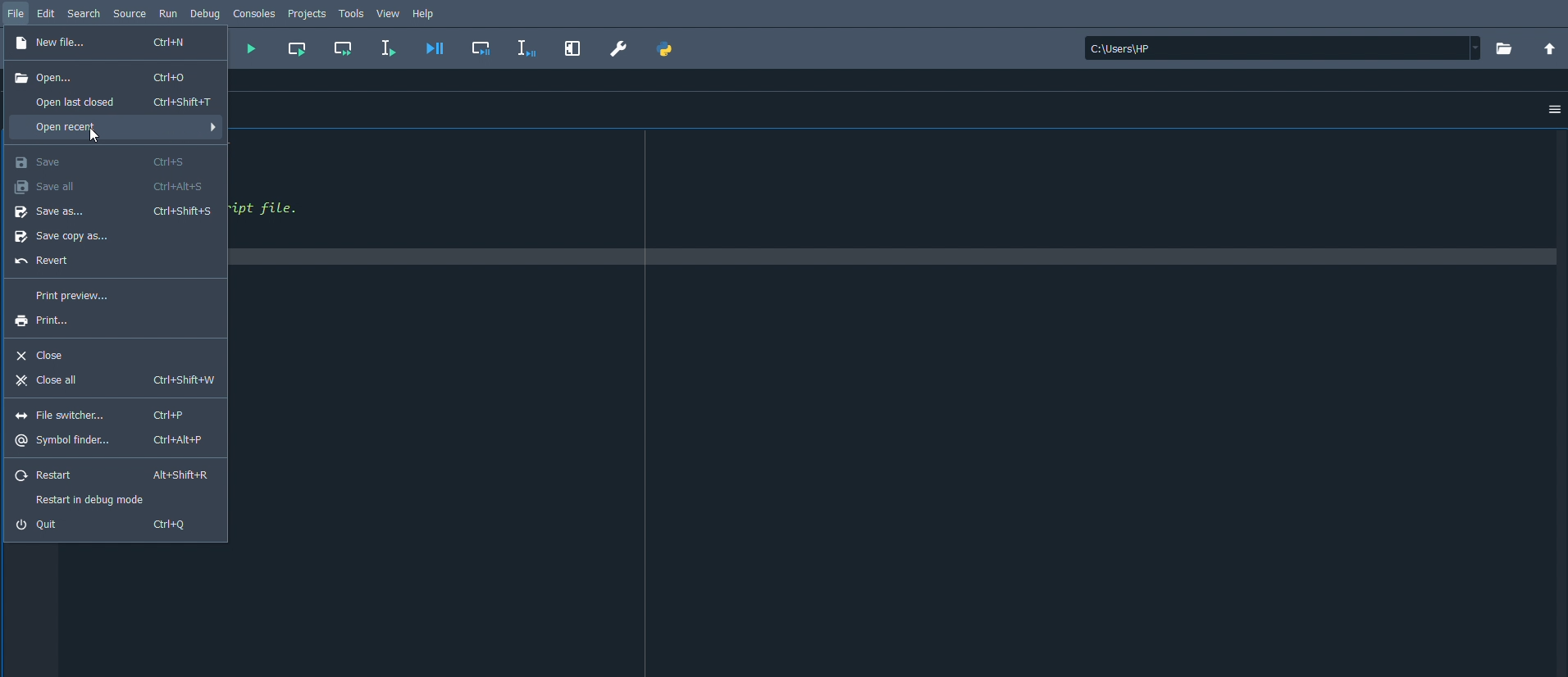  Describe the element at coordinates (308, 14) in the screenshot. I see `Projects` at that location.